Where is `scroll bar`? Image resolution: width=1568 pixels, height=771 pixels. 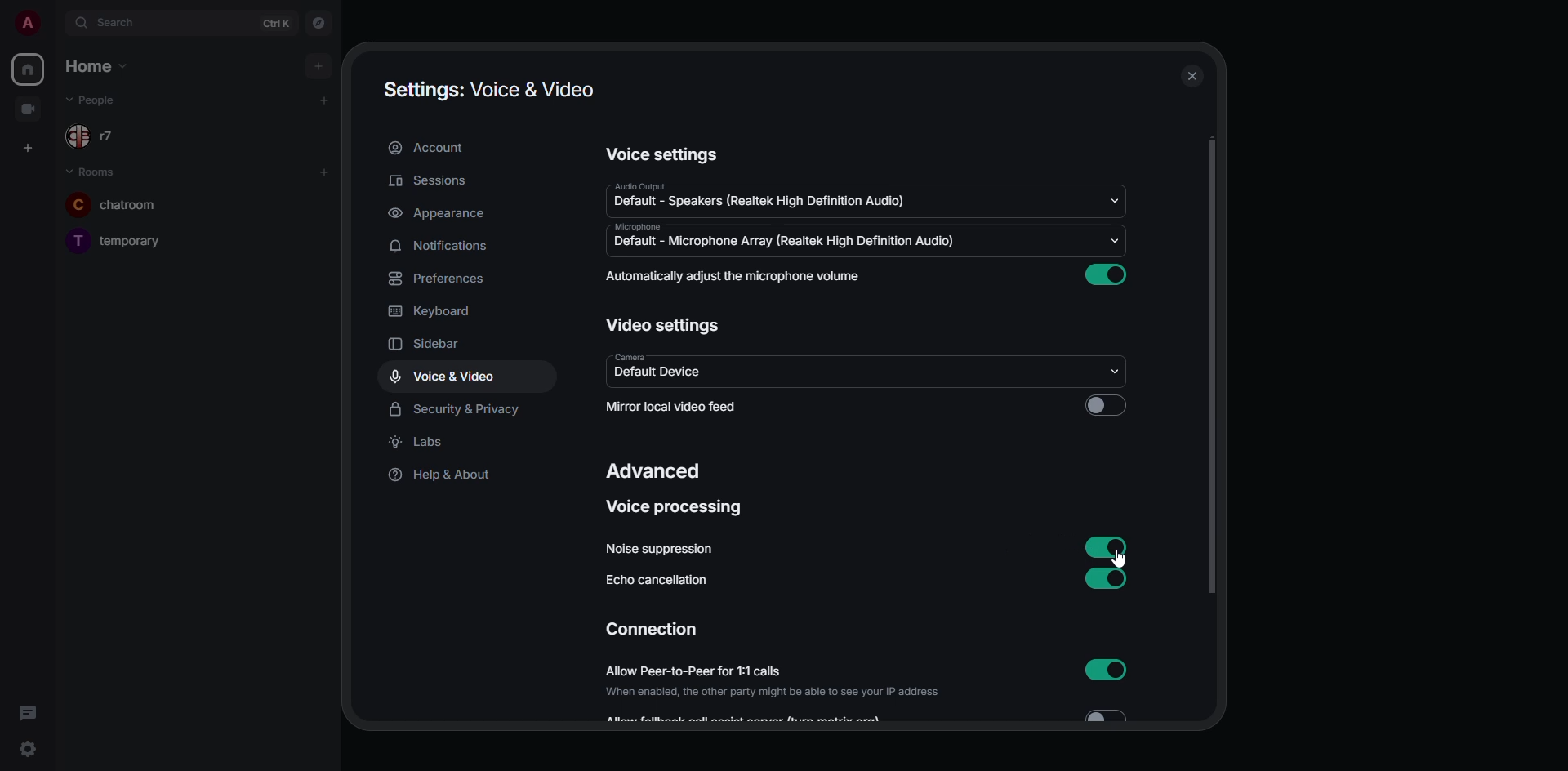
scroll bar is located at coordinates (1211, 368).